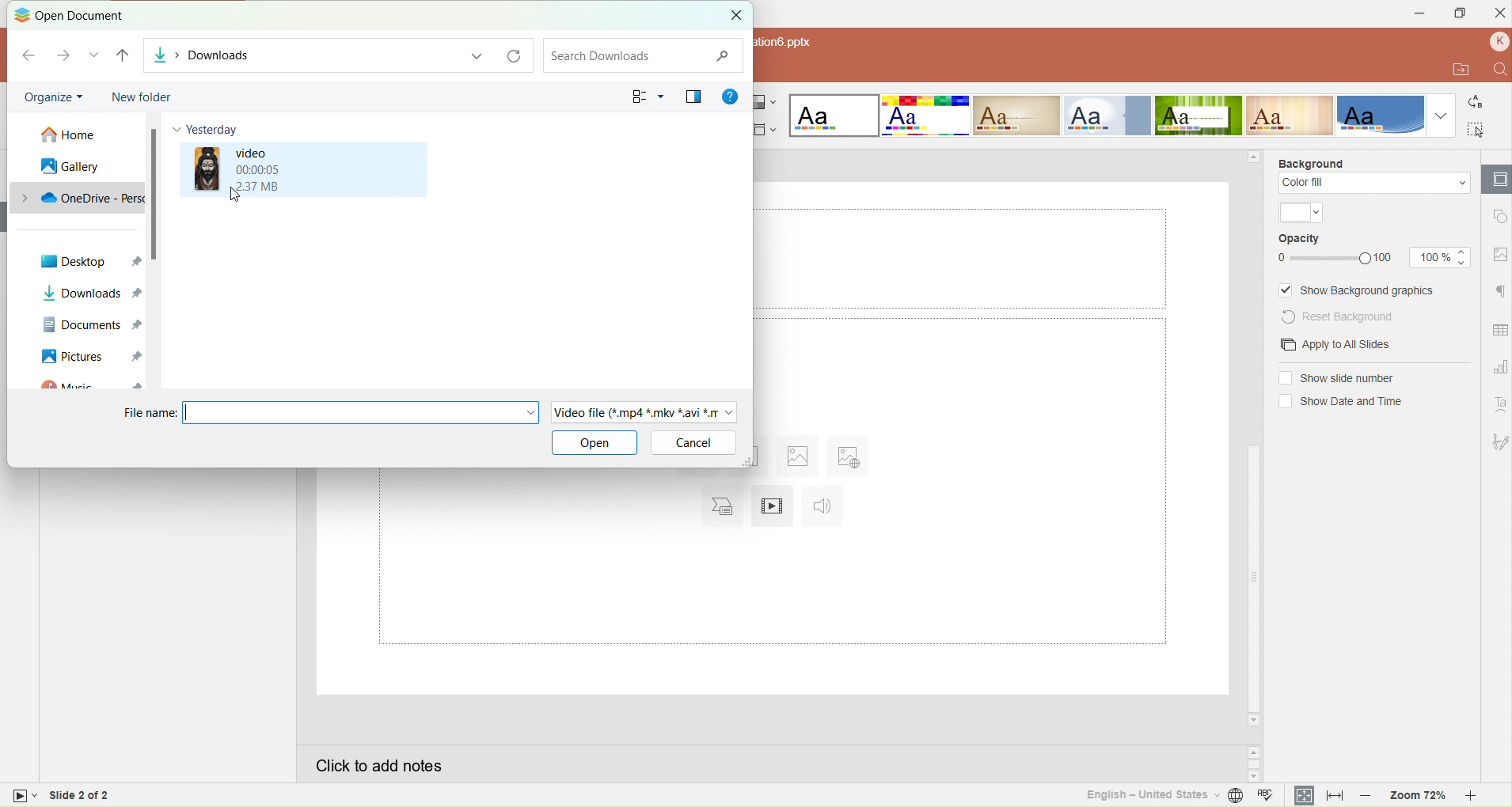 Image resolution: width=1512 pixels, height=807 pixels. What do you see at coordinates (834, 116) in the screenshot?
I see `Blank` at bounding box center [834, 116].